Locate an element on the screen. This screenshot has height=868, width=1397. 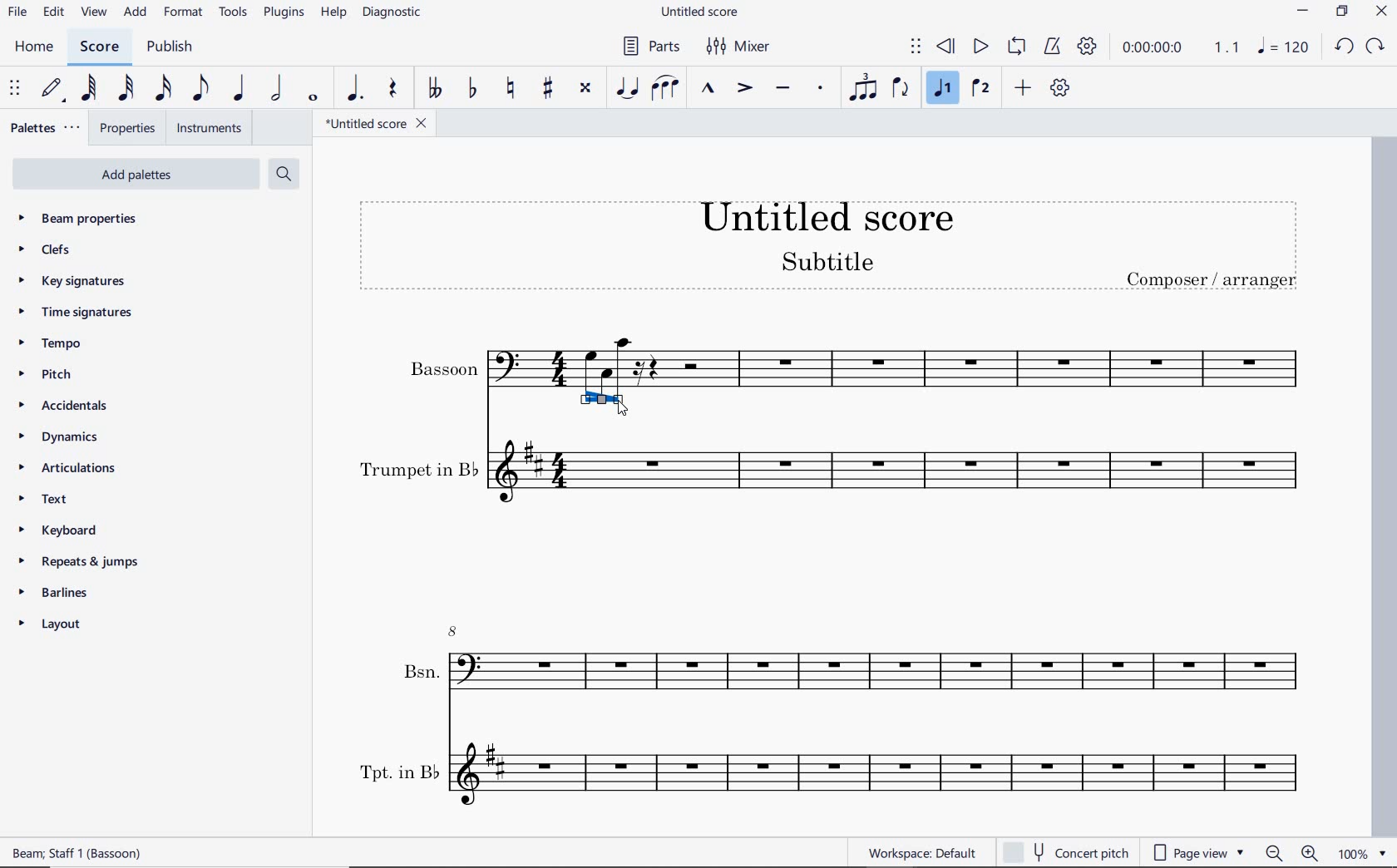
repeats & jumps is located at coordinates (86, 563).